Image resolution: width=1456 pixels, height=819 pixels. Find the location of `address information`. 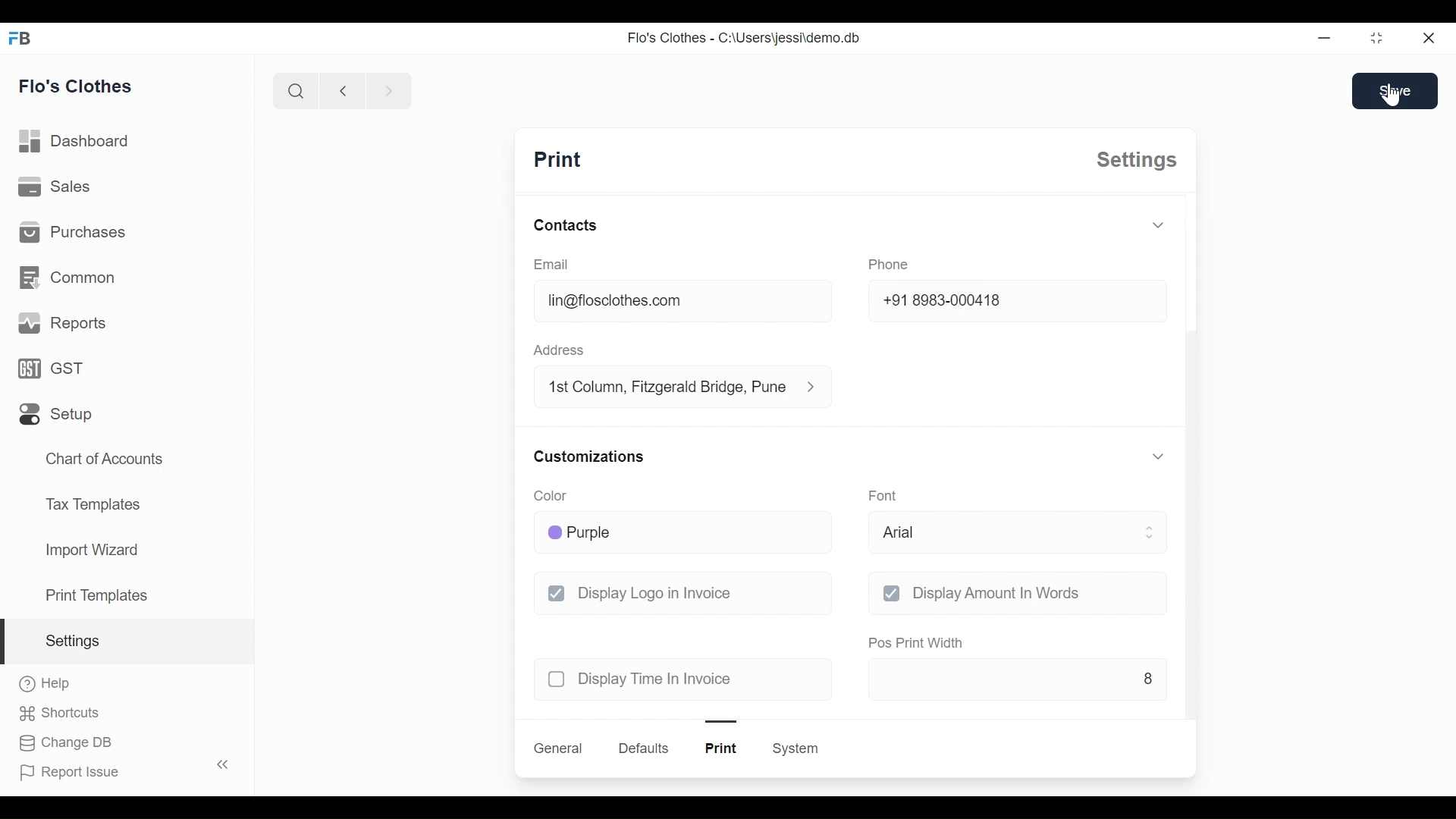

address information is located at coordinates (816, 387).